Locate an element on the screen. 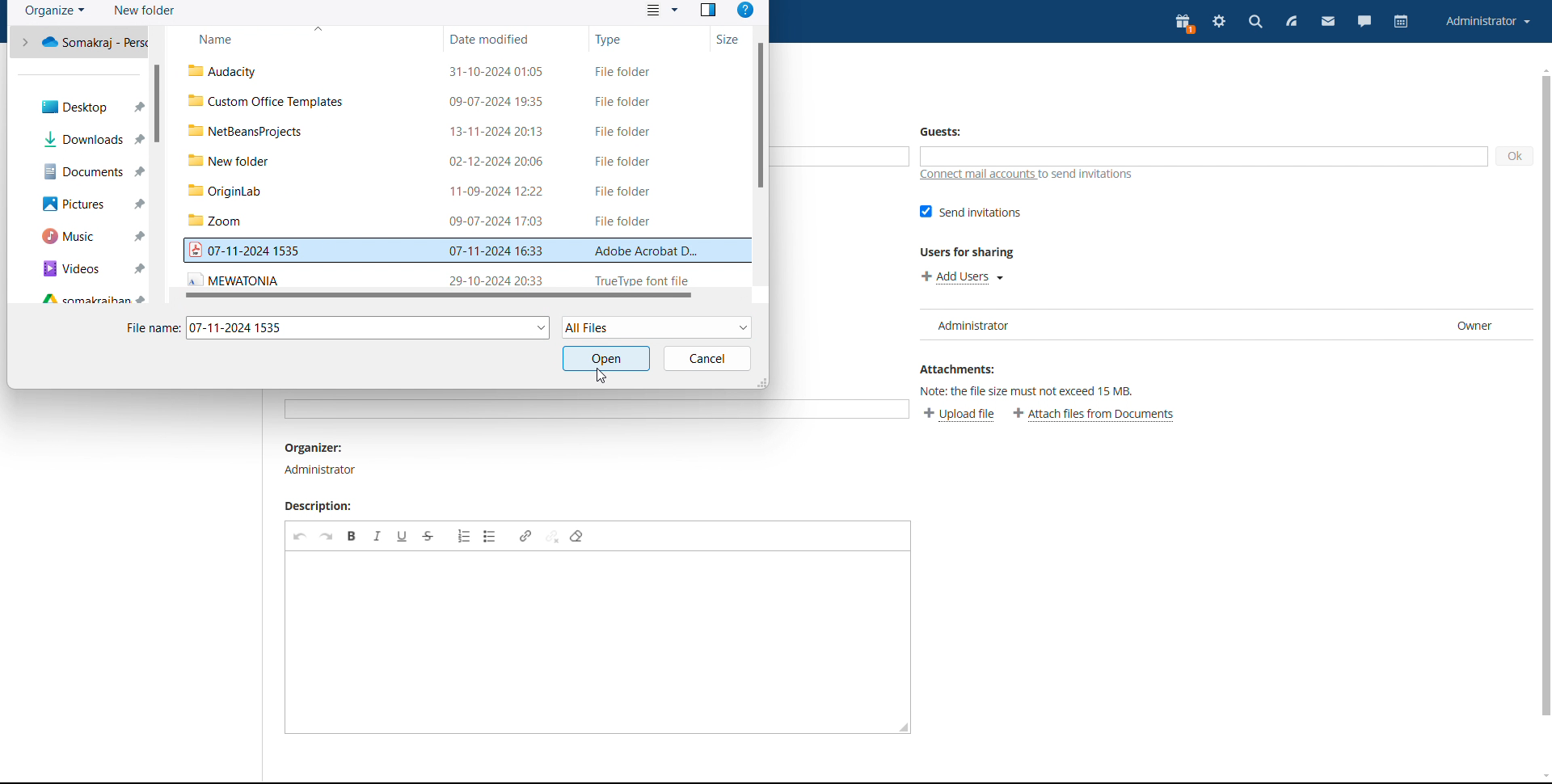 This screenshot has height=784, width=1552. search is located at coordinates (1256, 23).